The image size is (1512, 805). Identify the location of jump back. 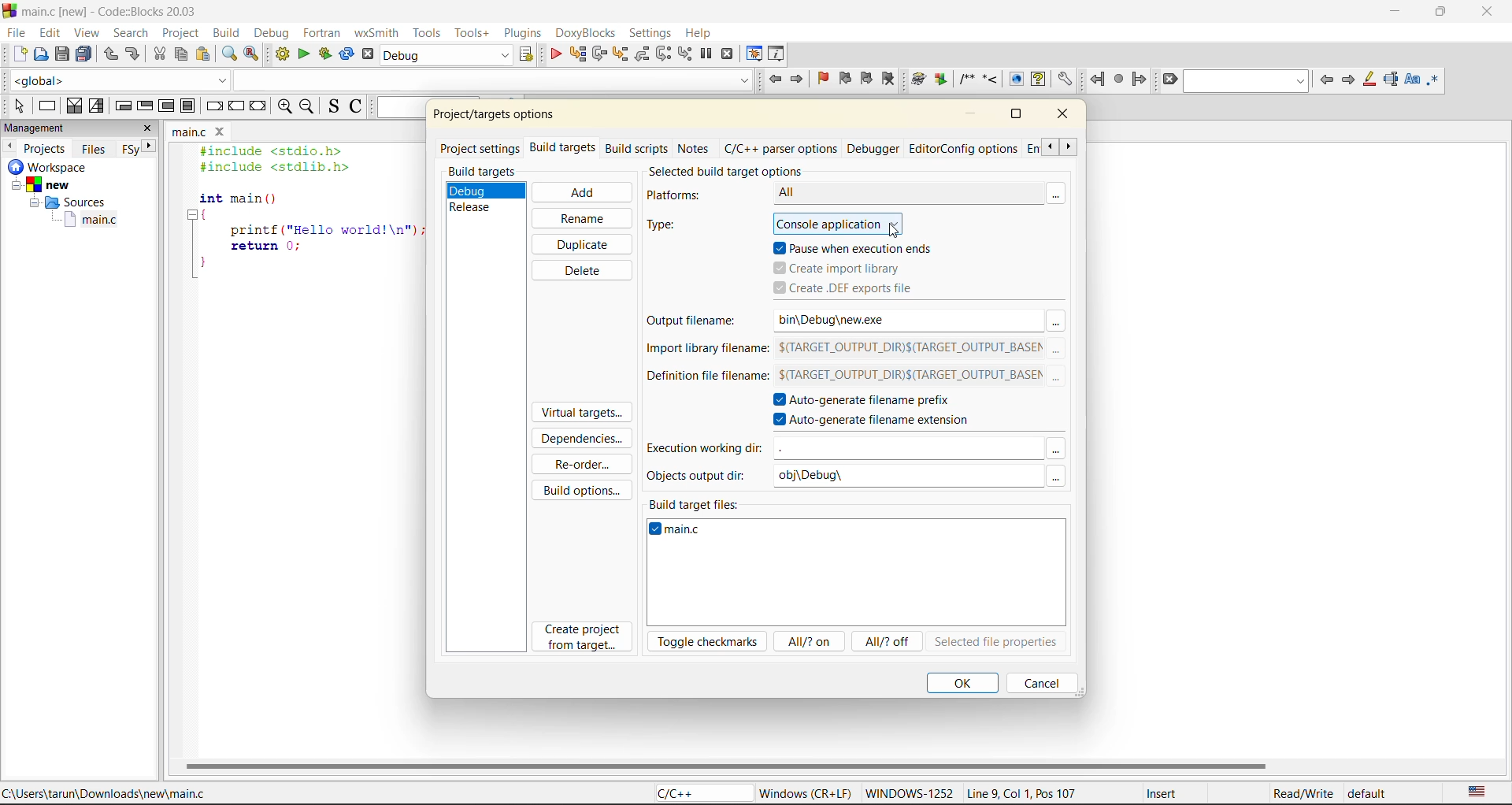
(774, 81).